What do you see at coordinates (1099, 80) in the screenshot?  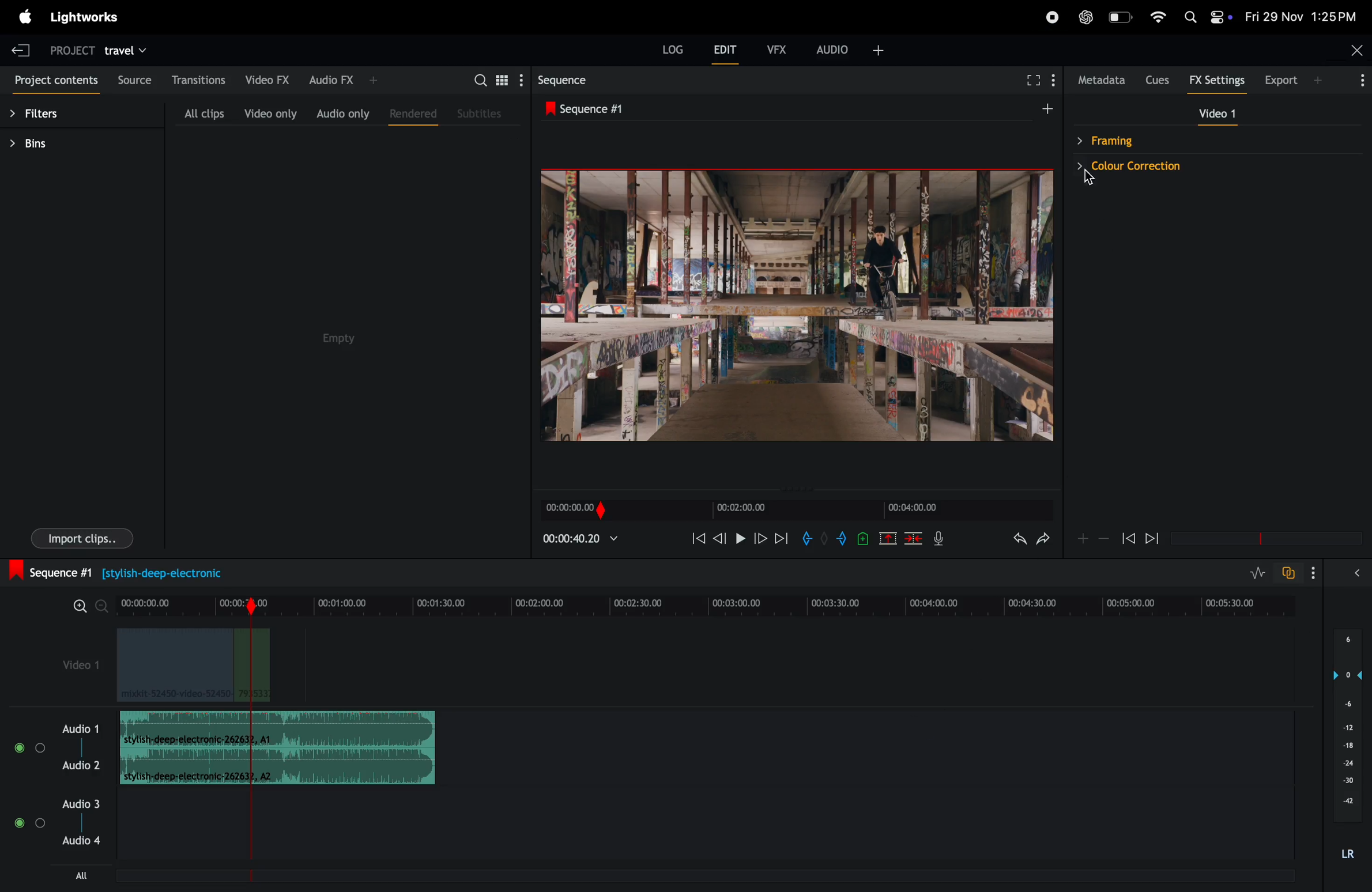 I see `metadata` at bounding box center [1099, 80].